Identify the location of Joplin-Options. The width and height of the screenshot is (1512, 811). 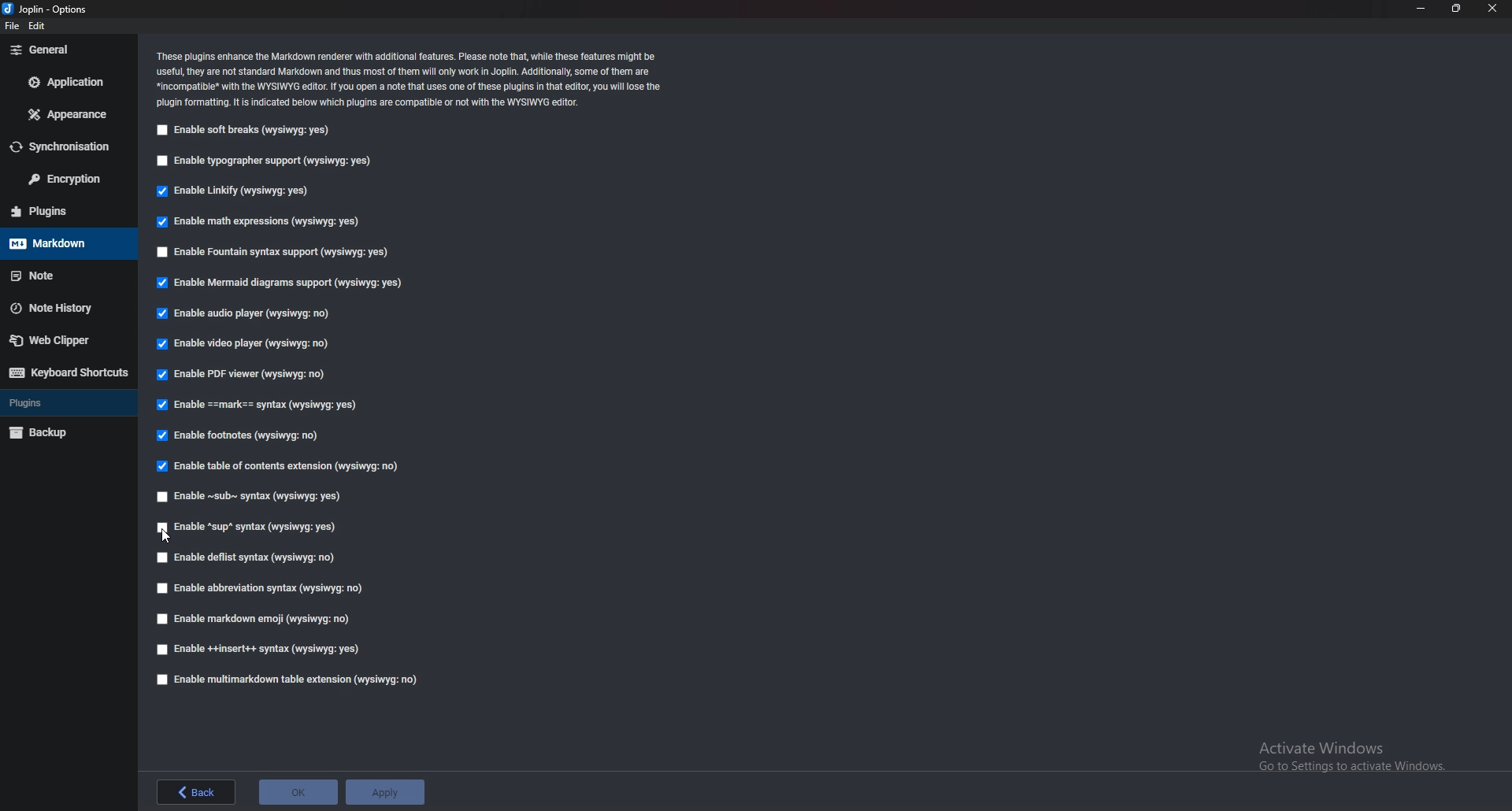
(46, 9).